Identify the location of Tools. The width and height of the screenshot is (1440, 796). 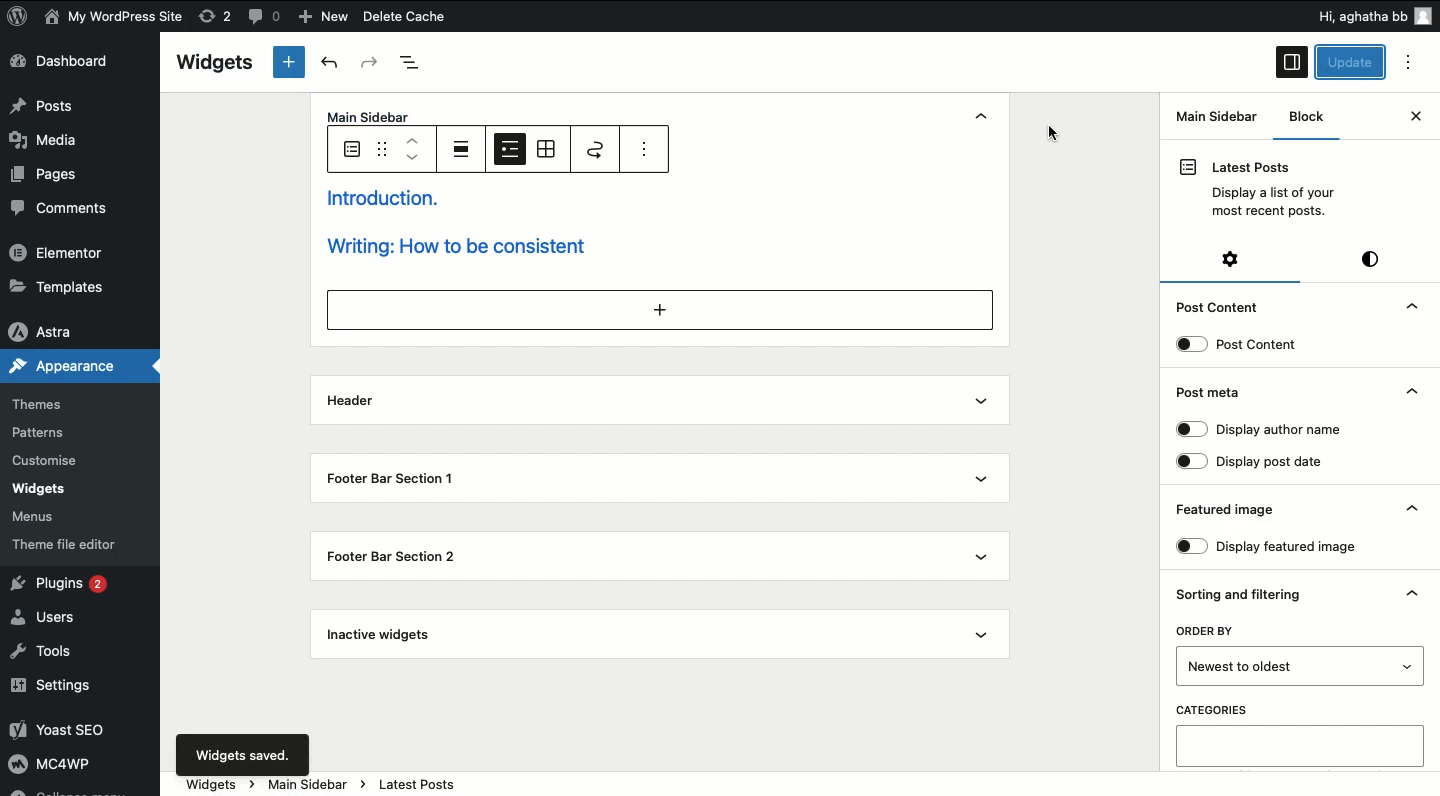
(46, 652).